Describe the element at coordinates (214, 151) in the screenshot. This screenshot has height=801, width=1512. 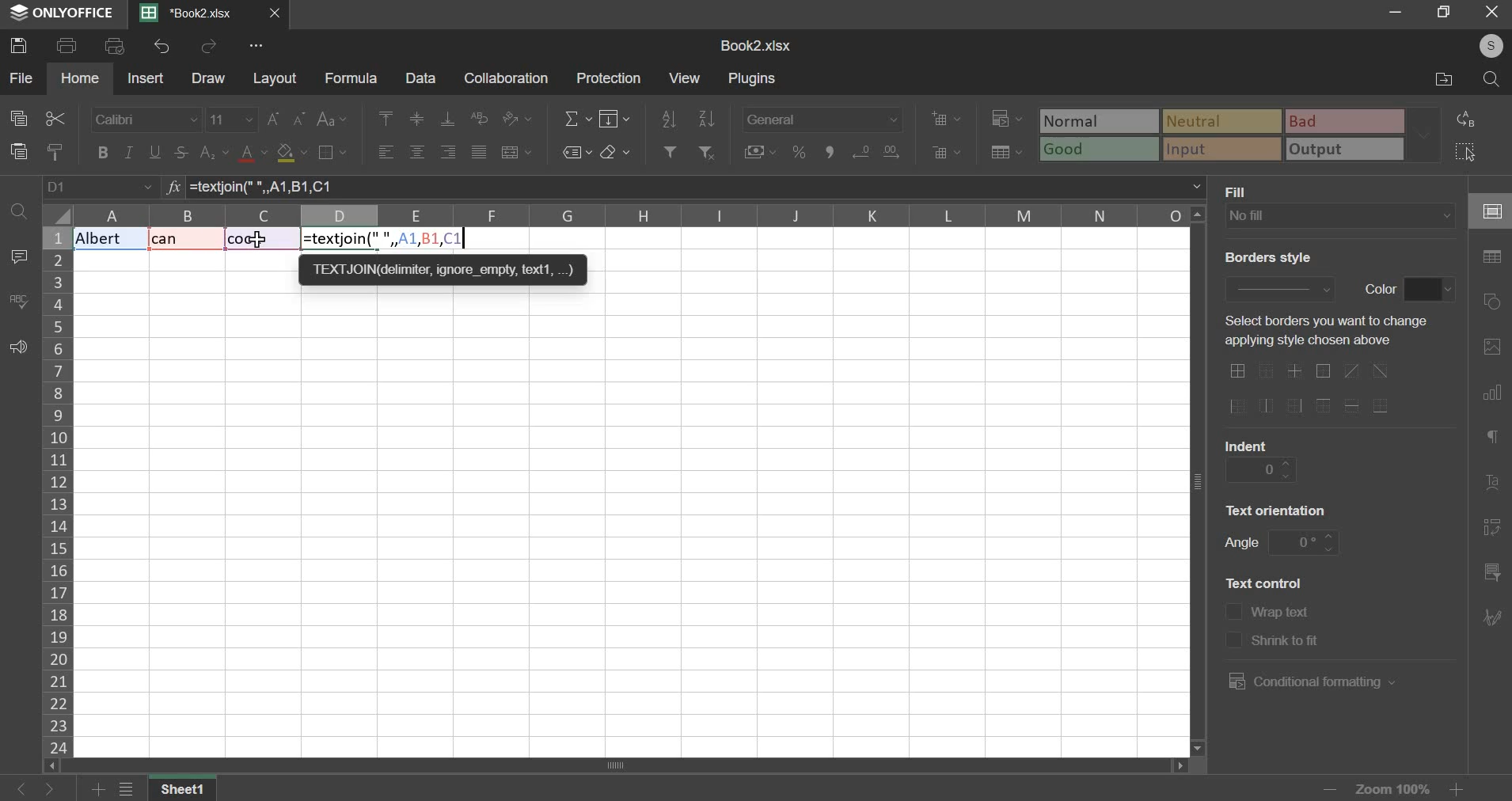
I see `subscript & superscript` at that location.